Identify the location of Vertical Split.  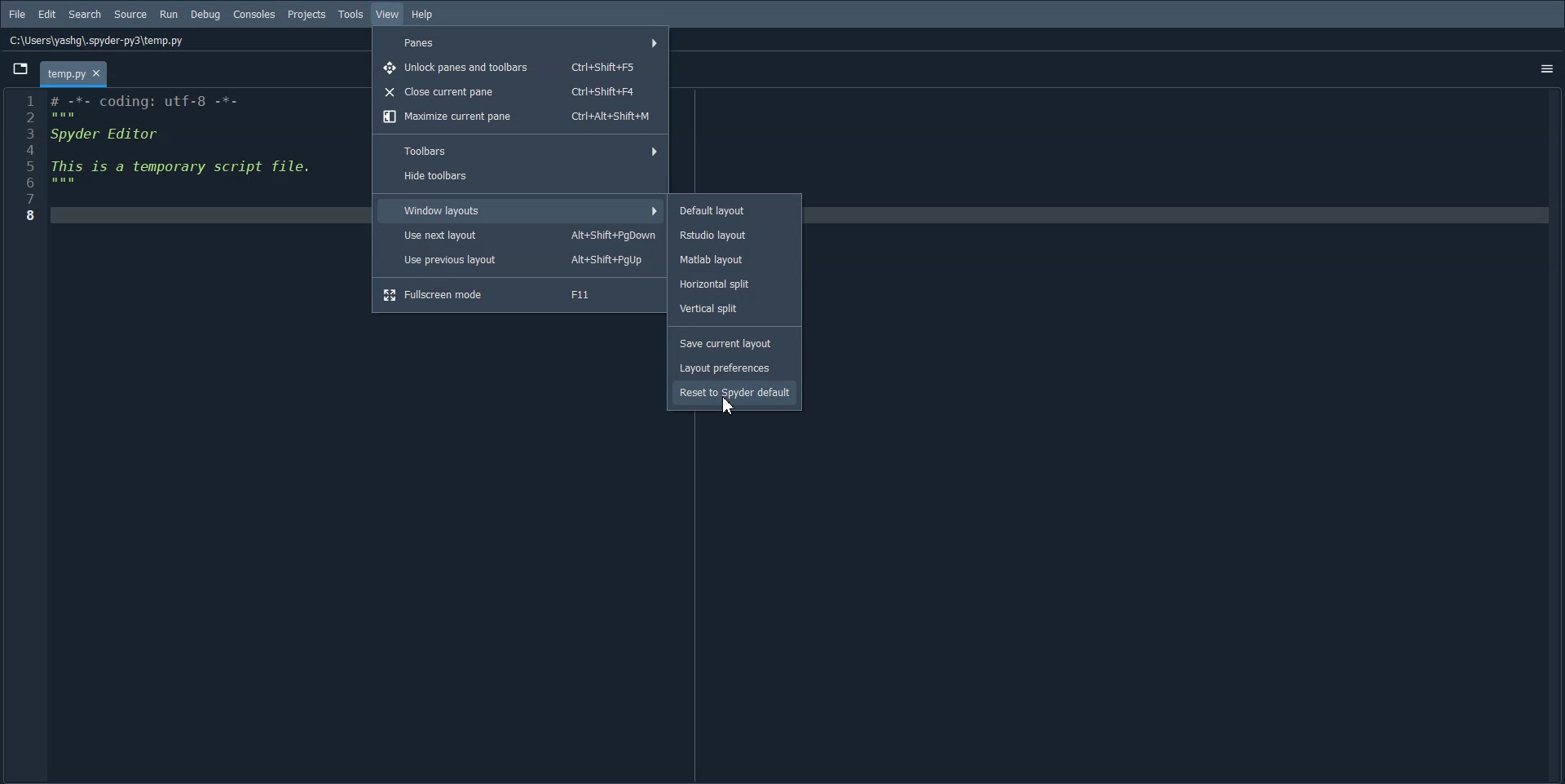
(736, 308).